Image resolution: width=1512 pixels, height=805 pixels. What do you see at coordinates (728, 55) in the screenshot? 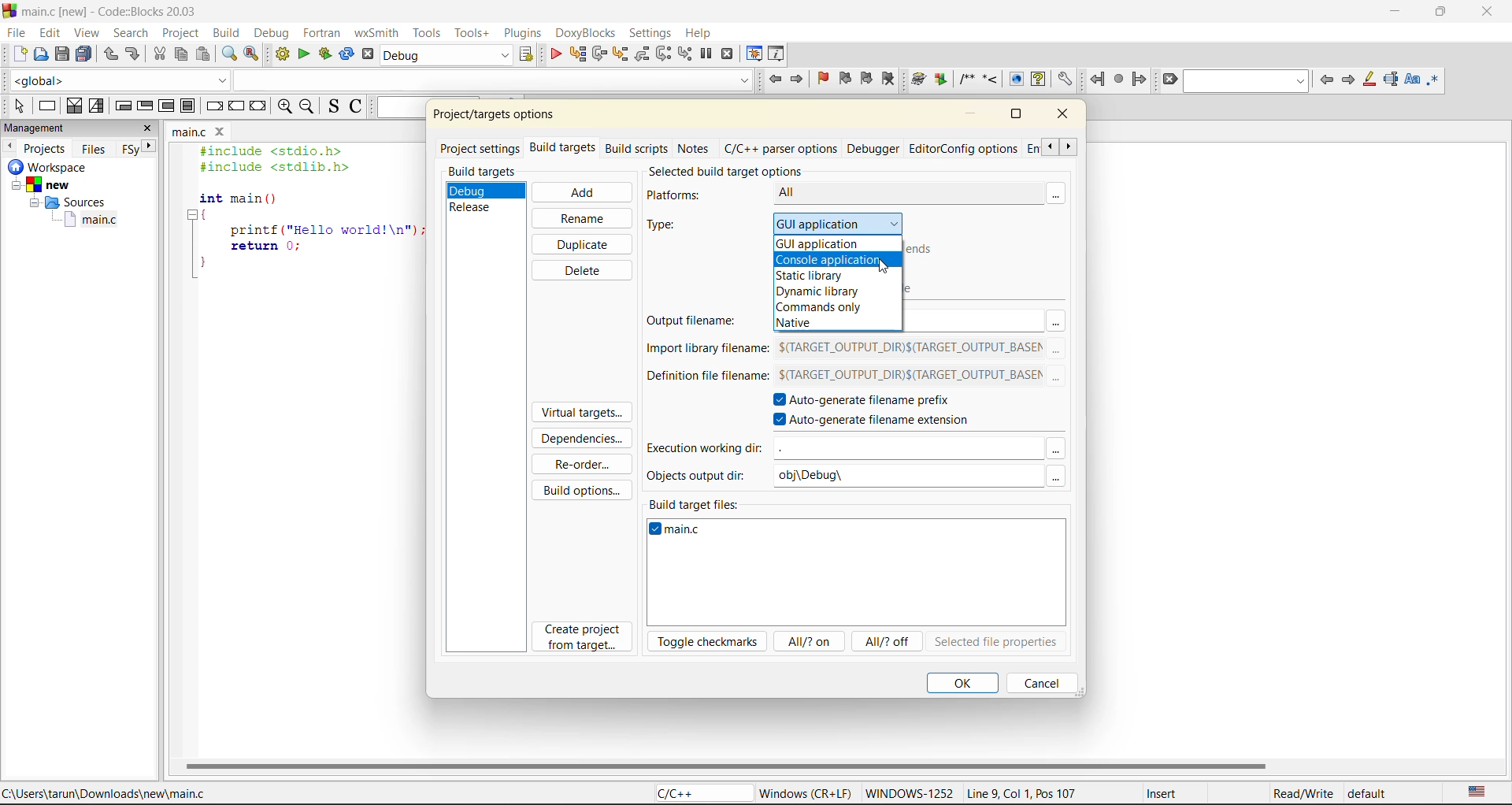
I see `stop debugger` at bounding box center [728, 55].